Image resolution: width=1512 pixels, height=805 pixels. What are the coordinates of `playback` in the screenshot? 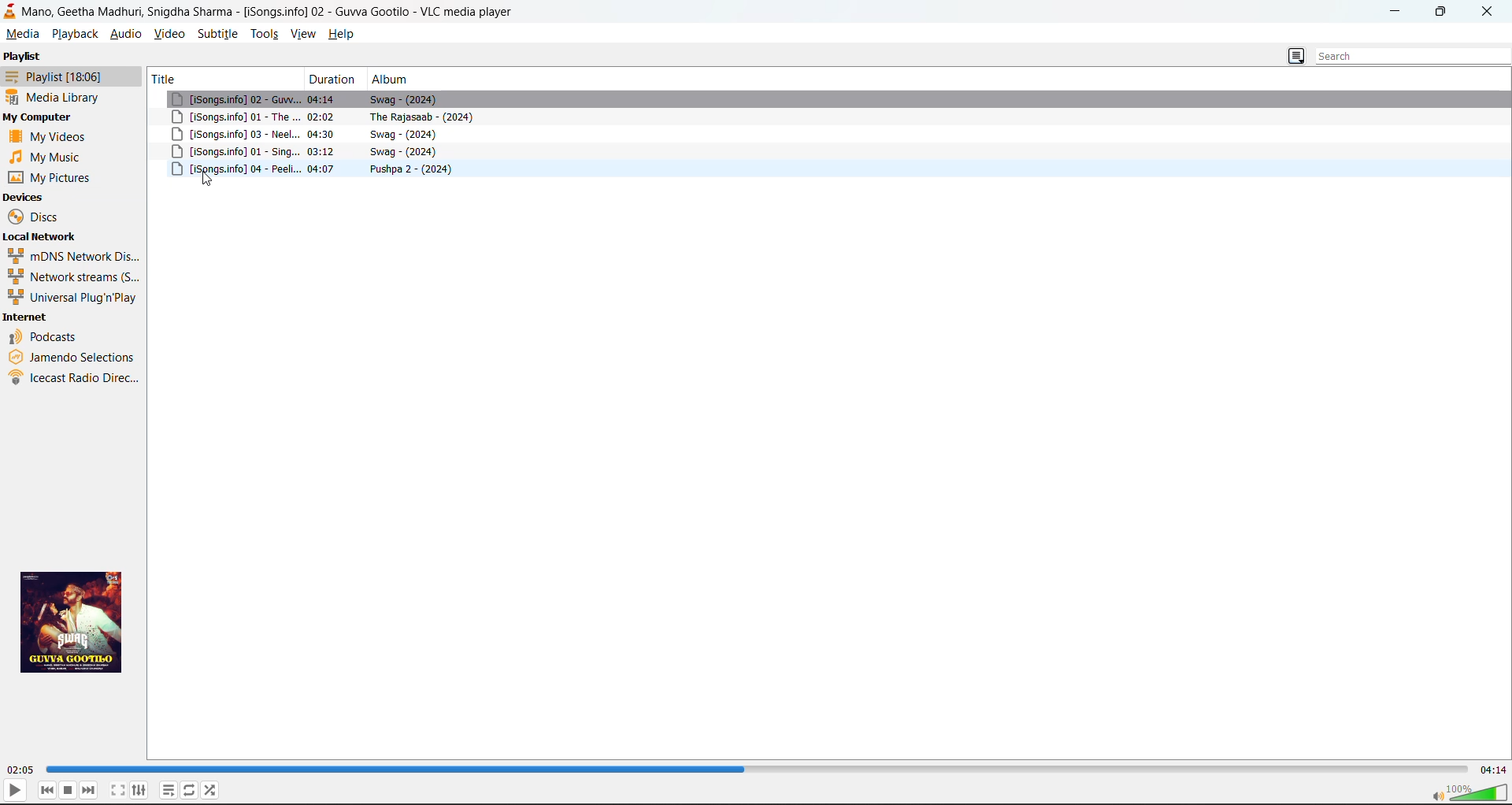 It's located at (75, 35).